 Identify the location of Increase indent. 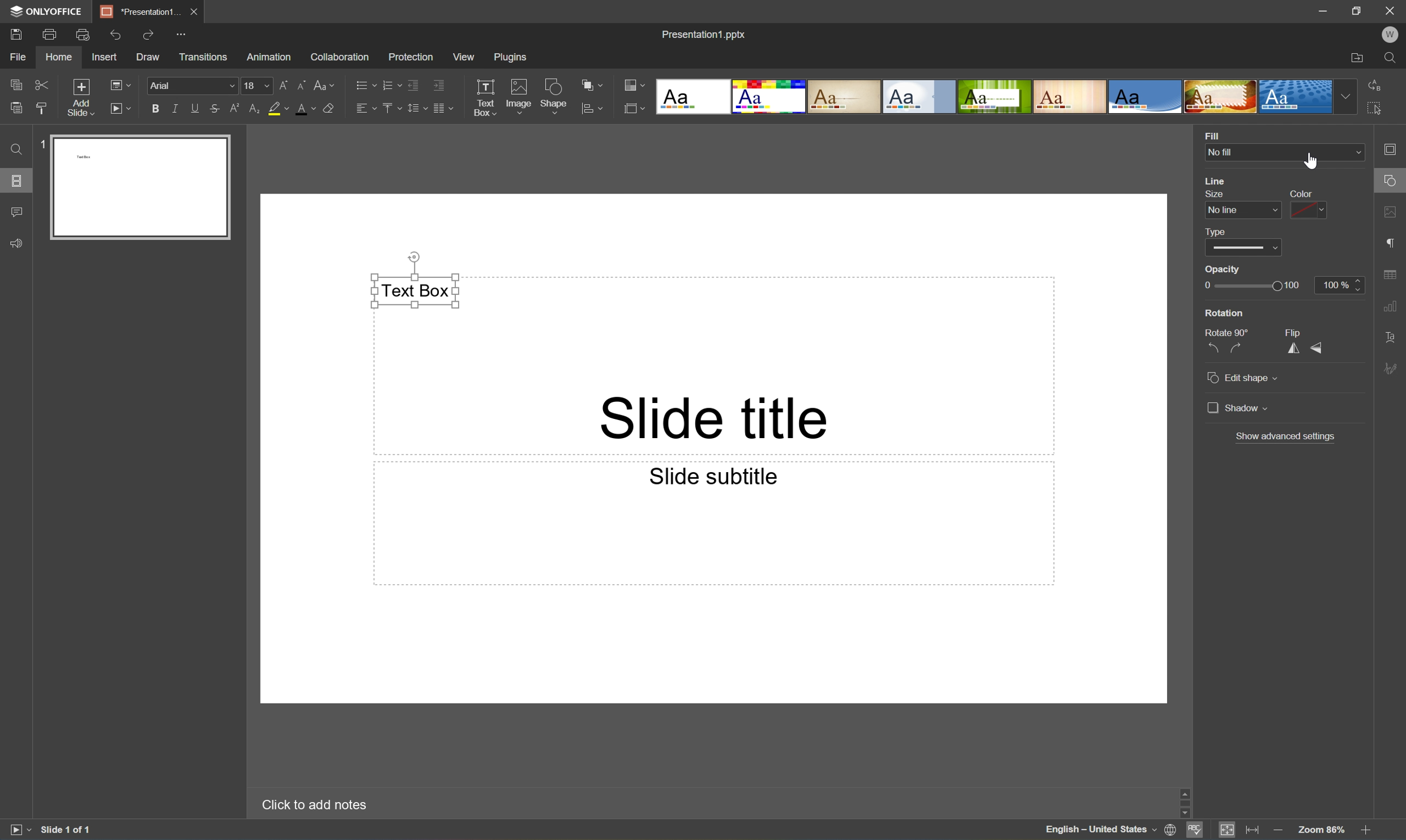
(439, 85).